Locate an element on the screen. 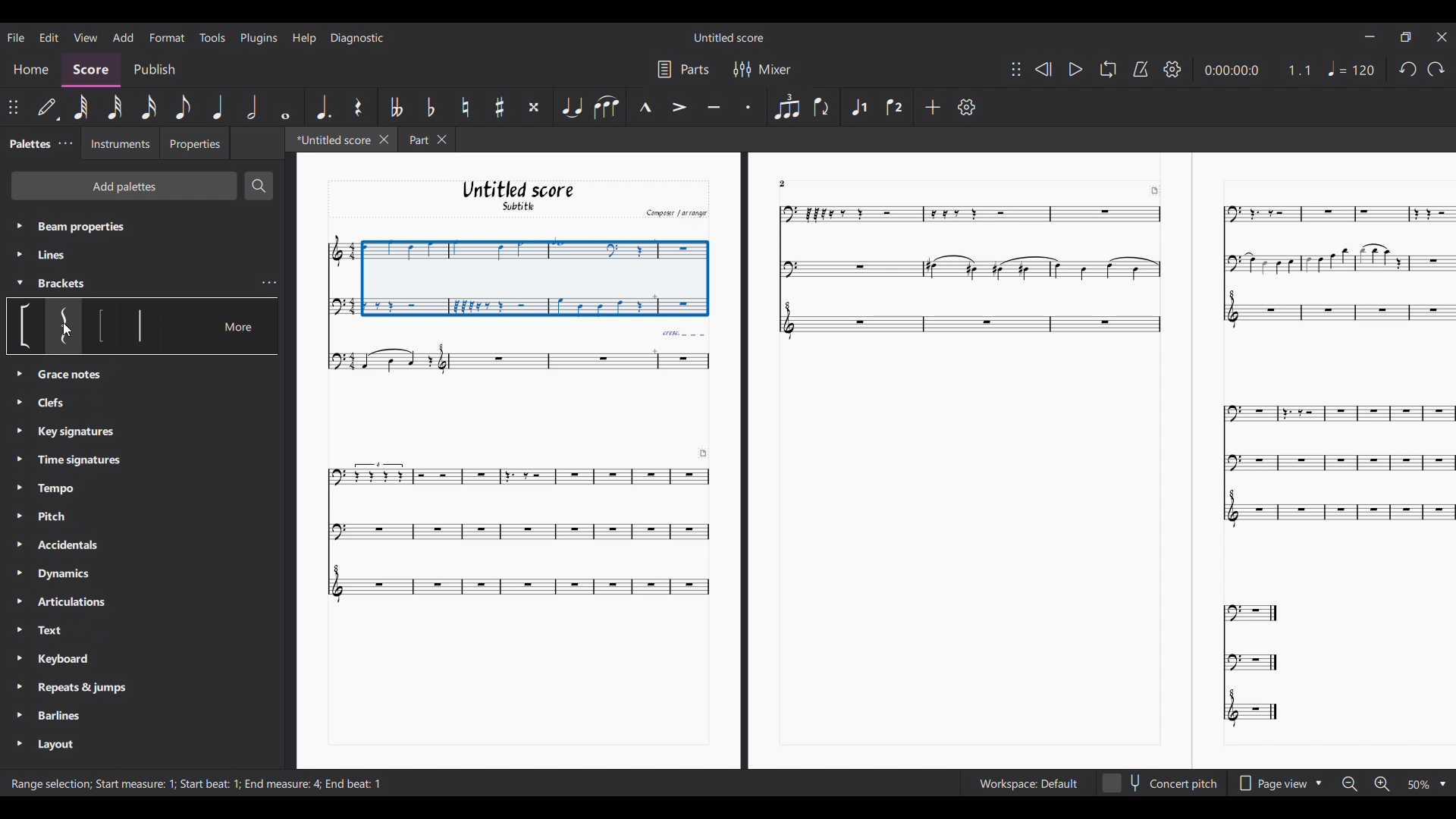 The height and width of the screenshot is (819, 1456). Publish is located at coordinates (153, 69).